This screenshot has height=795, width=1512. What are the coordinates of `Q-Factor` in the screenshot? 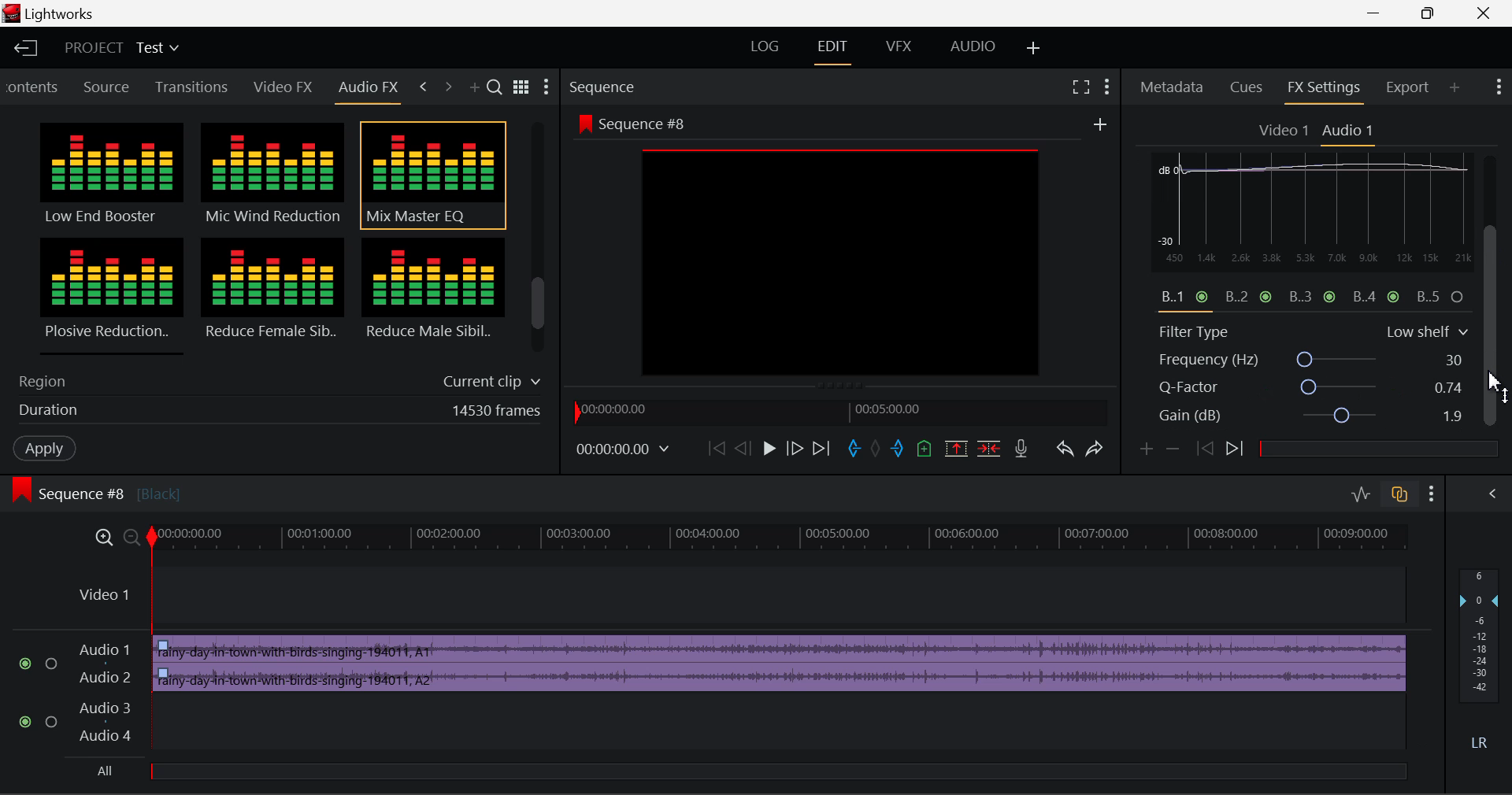 It's located at (1314, 388).